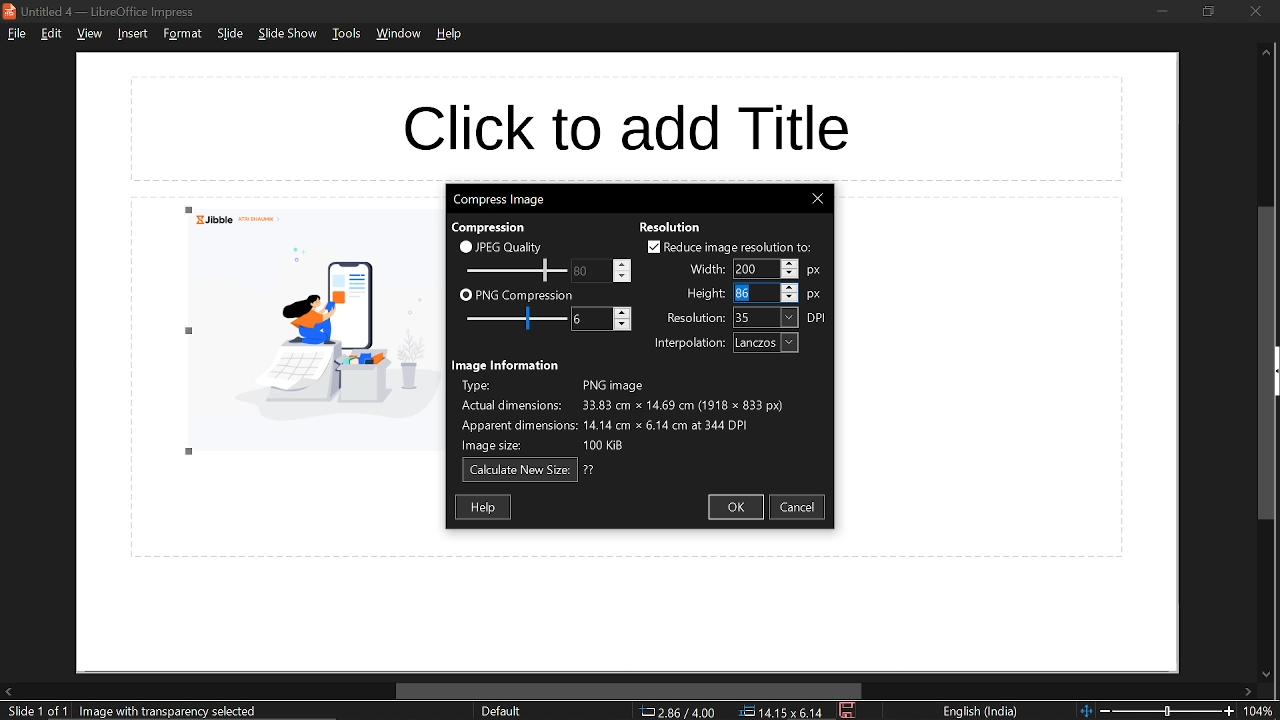 The height and width of the screenshot is (720, 1280). What do you see at coordinates (508, 365) in the screenshot?
I see `image information` at bounding box center [508, 365].